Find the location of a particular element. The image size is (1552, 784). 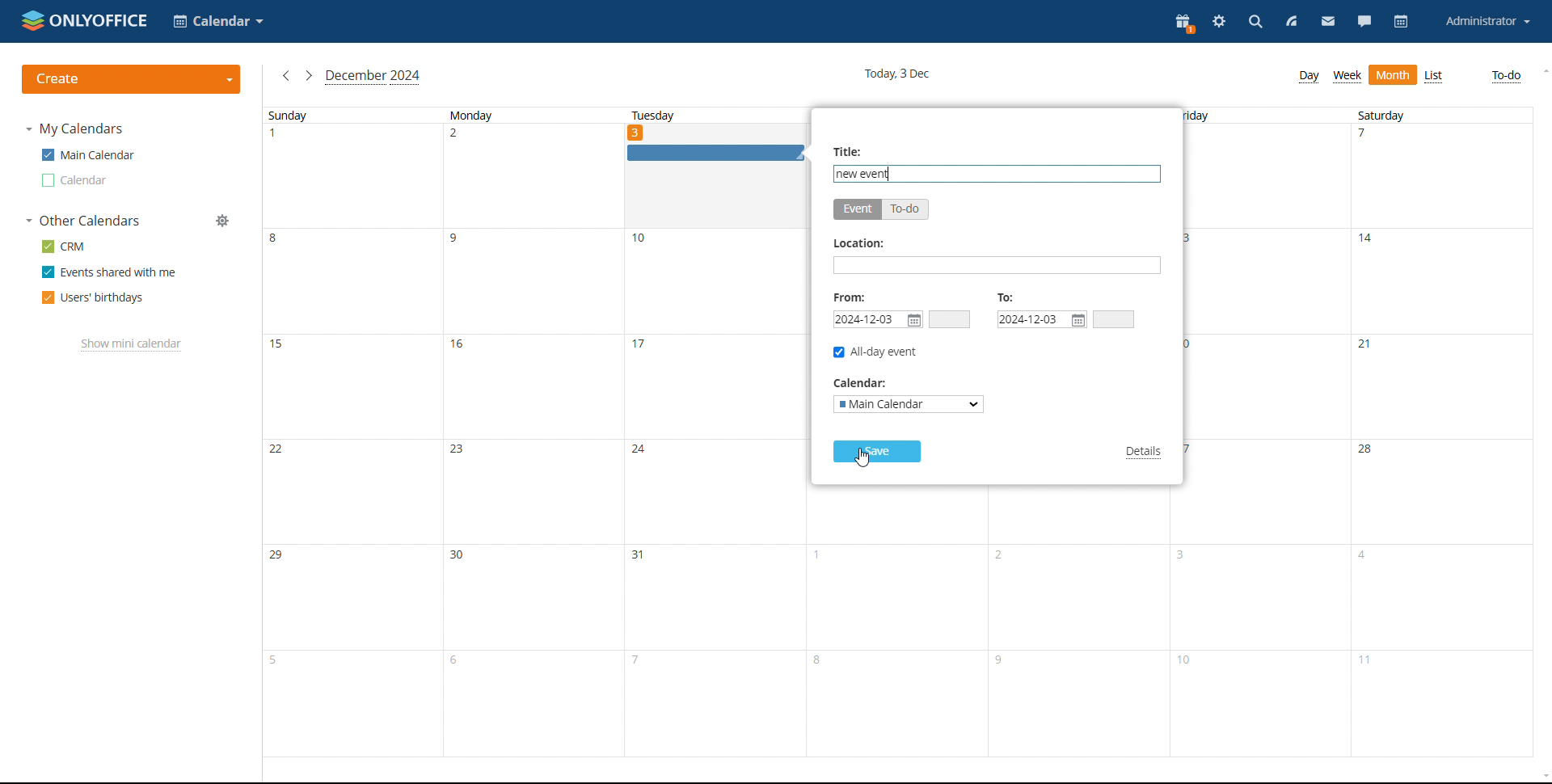

events shared with me is located at coordinates (111, 272).